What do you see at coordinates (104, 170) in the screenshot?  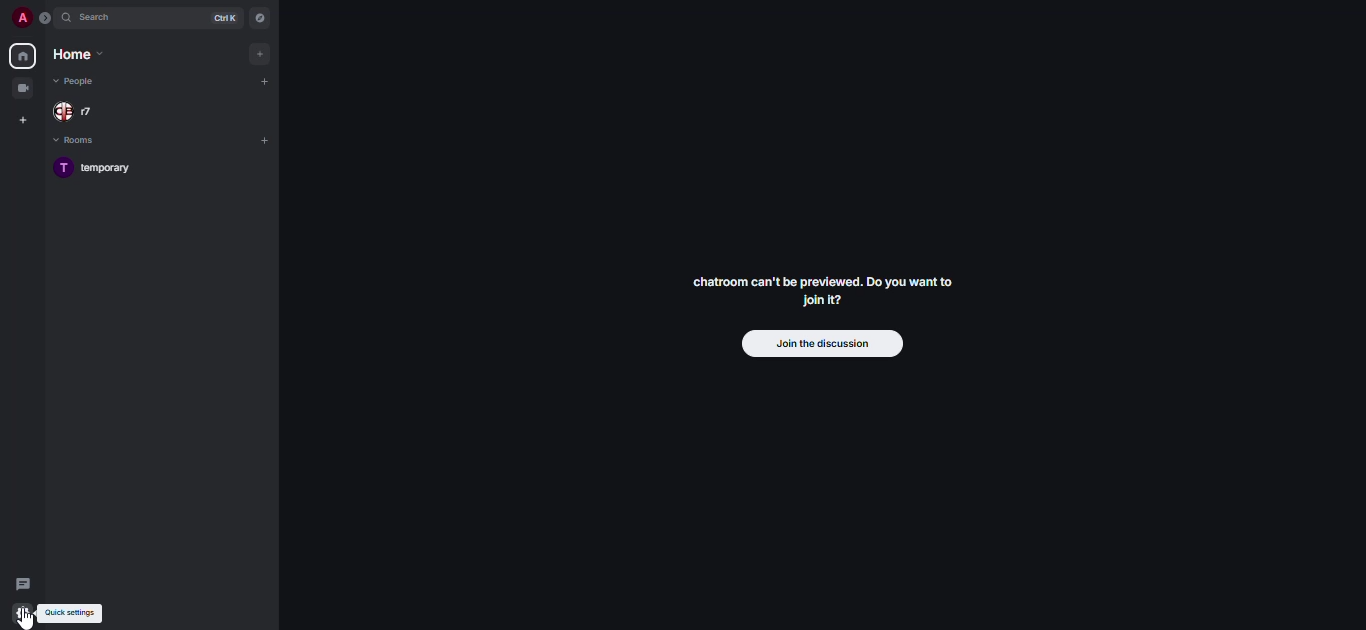 I see `temporary` at bounding box center [104, 170].